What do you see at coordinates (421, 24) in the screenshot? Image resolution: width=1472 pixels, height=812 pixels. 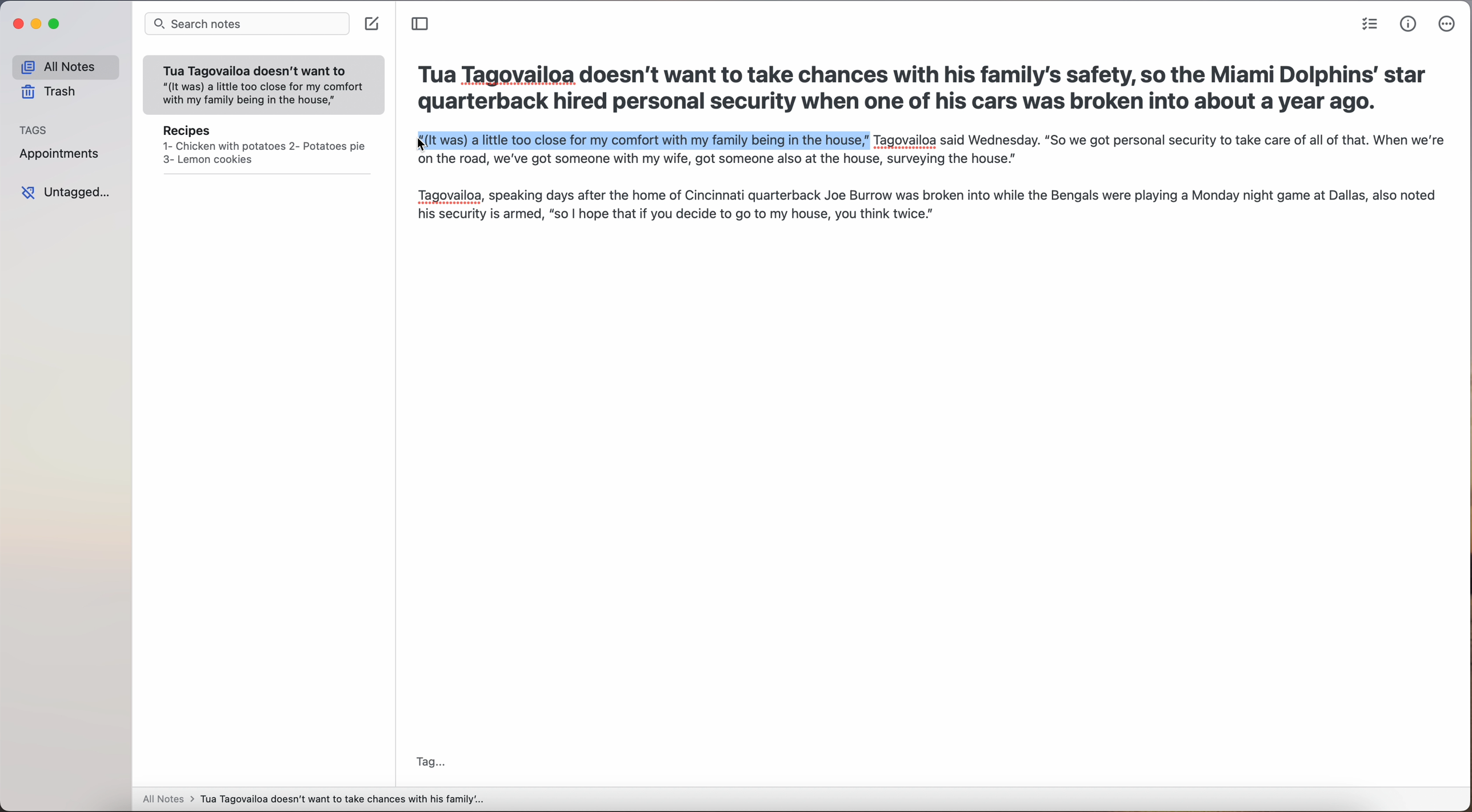 I see `toggle sidebar` at bounding box center [421, 24].